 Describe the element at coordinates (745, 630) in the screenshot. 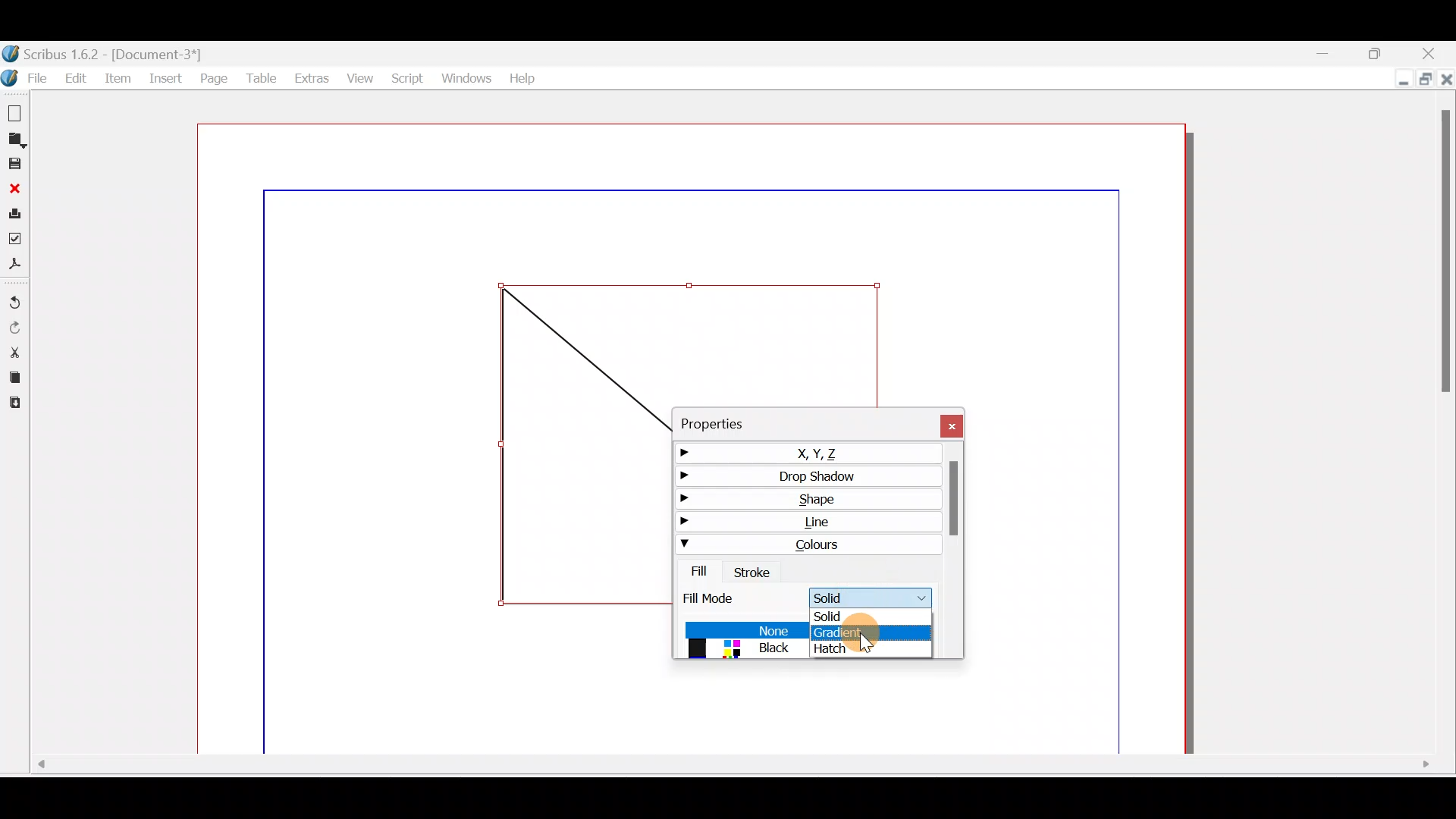

I see `none` at that location.